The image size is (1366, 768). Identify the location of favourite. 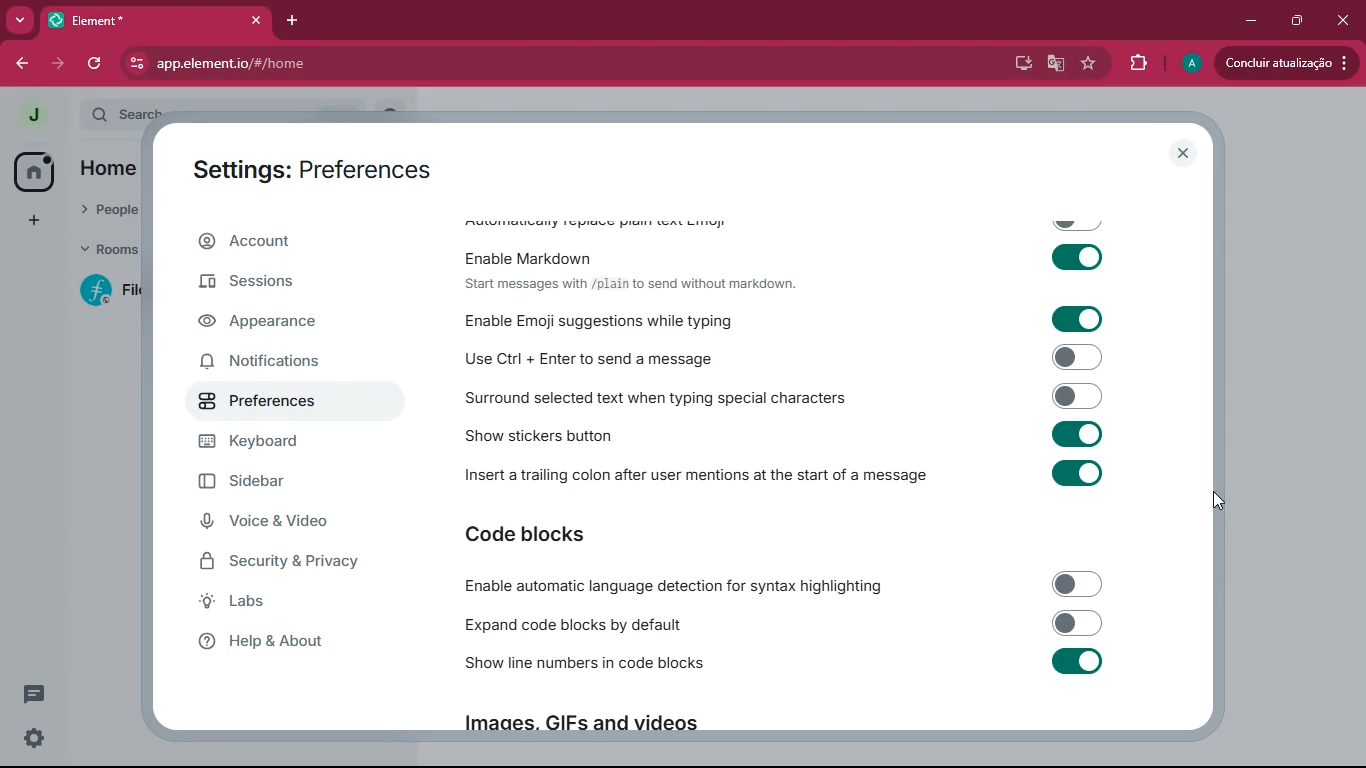
(1088, 65).